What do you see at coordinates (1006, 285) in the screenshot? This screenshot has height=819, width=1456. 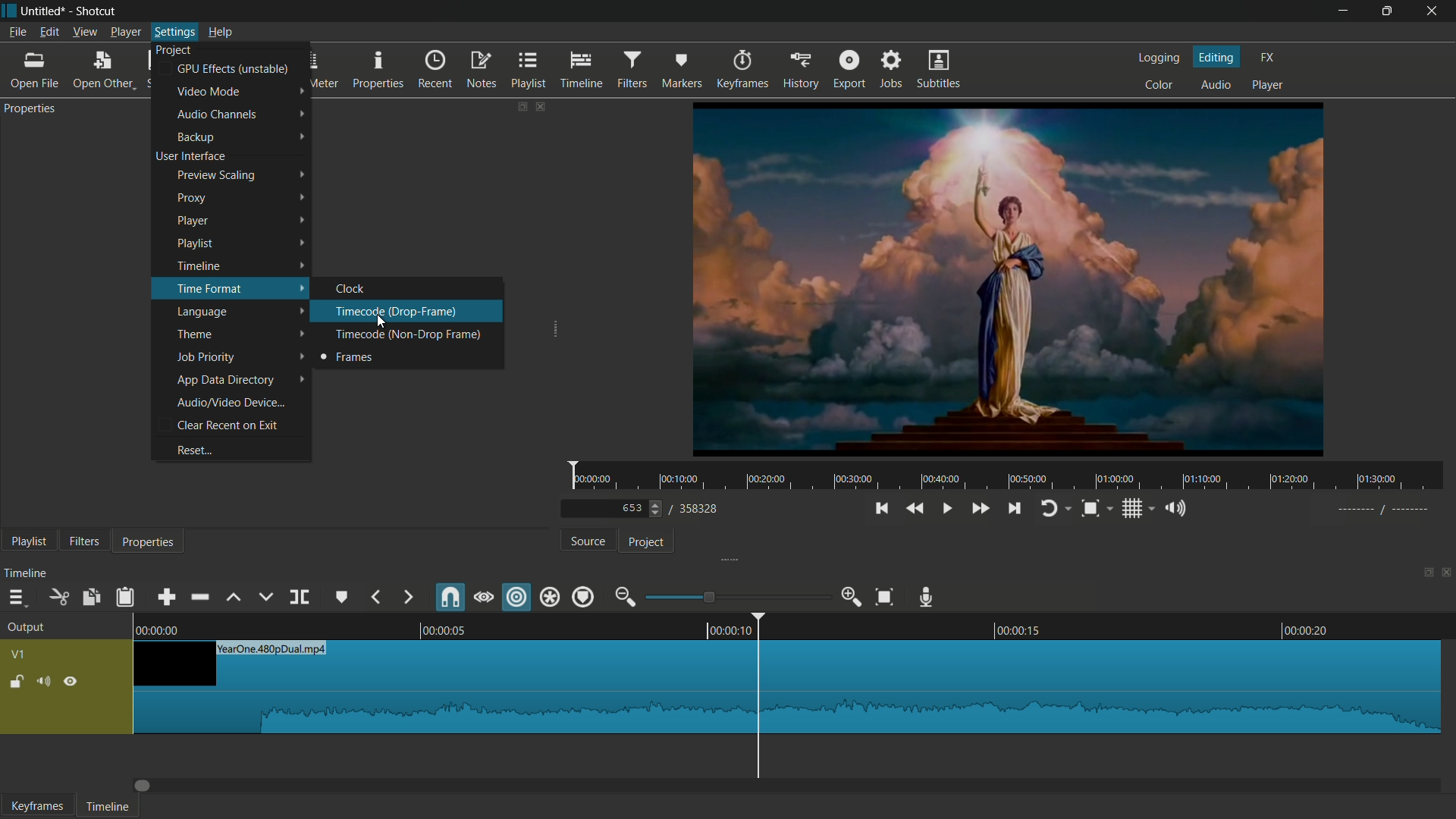 I see `preview video` at bounding box center [1006, 285].